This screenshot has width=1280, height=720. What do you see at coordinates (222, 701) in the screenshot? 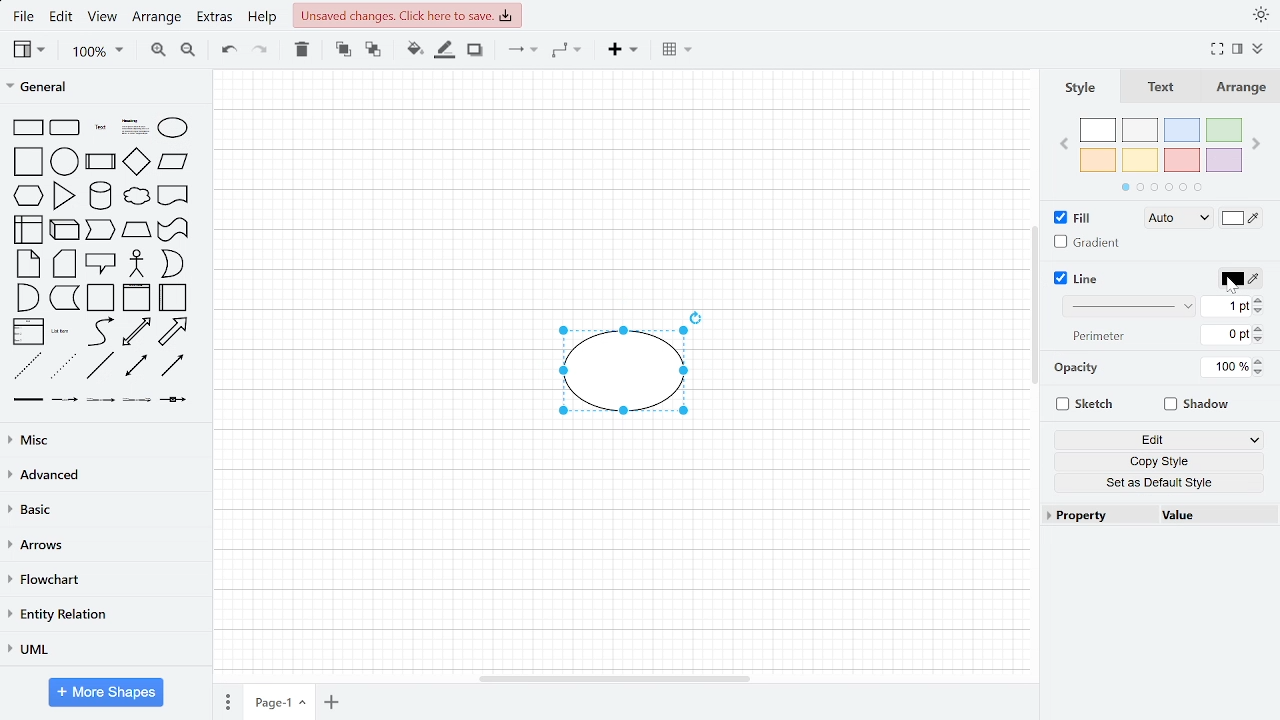
I see `Pages` at bounding box center [222, 701].